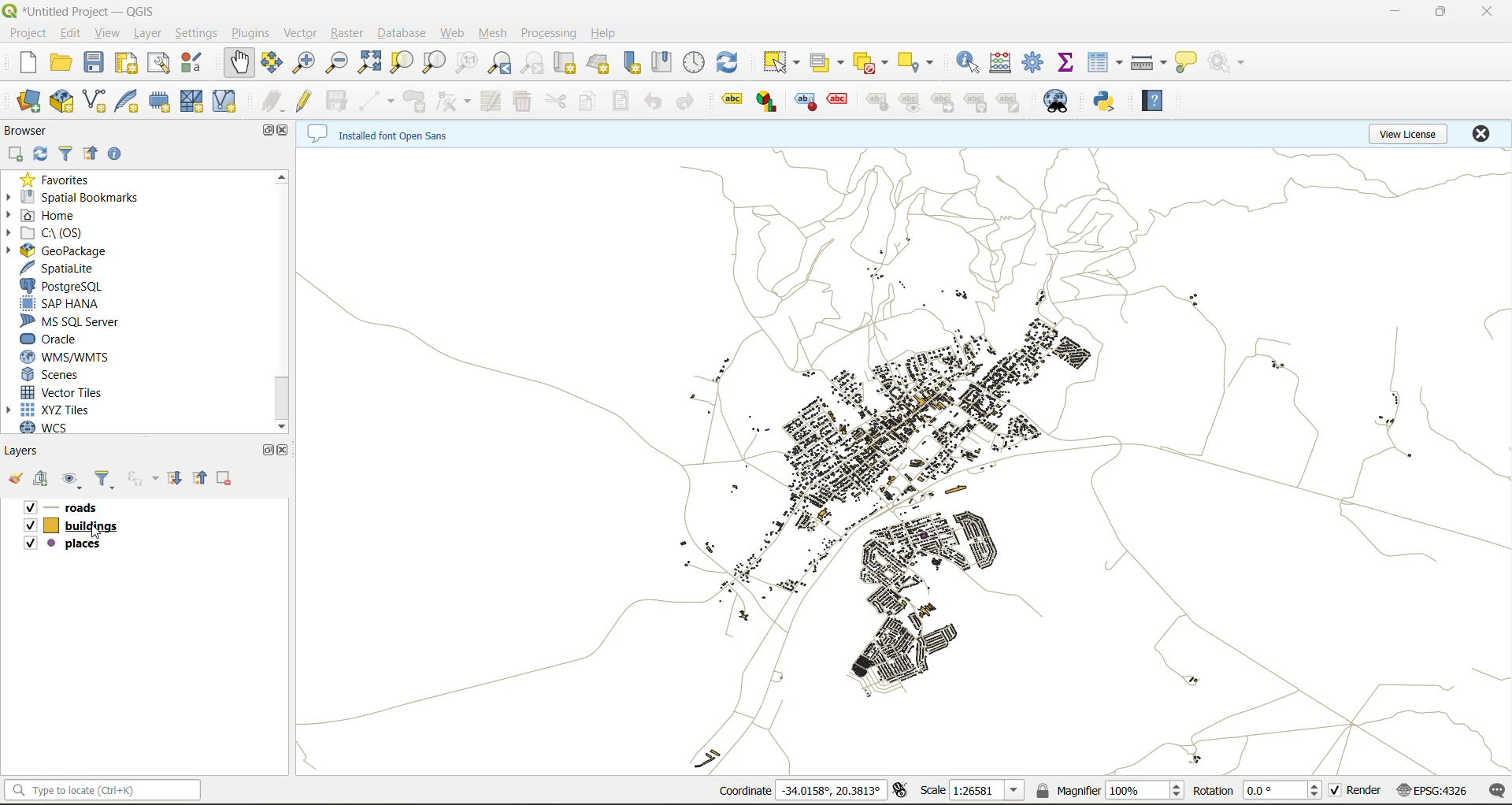  I want to click on vertex tools, so click(454, 102).